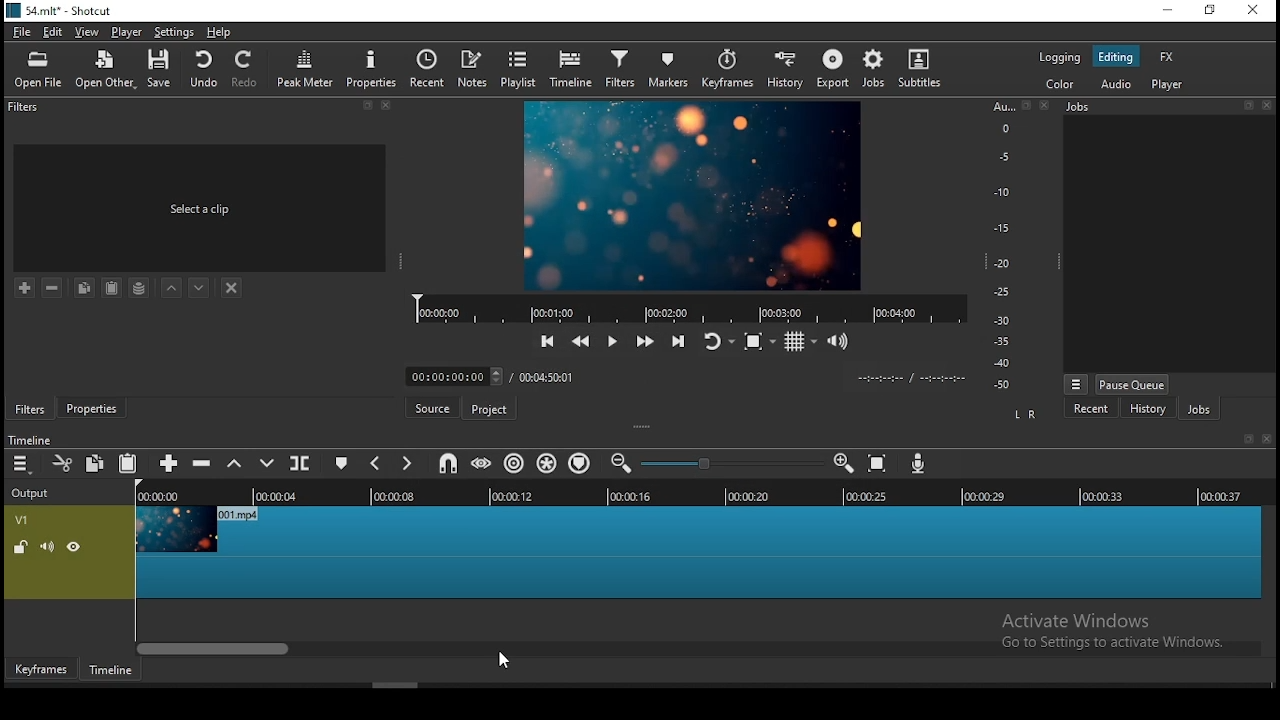  What do you see at coordinates (696, 553) in the screenshot?
I see `video track` at bounding box center [696, 553].